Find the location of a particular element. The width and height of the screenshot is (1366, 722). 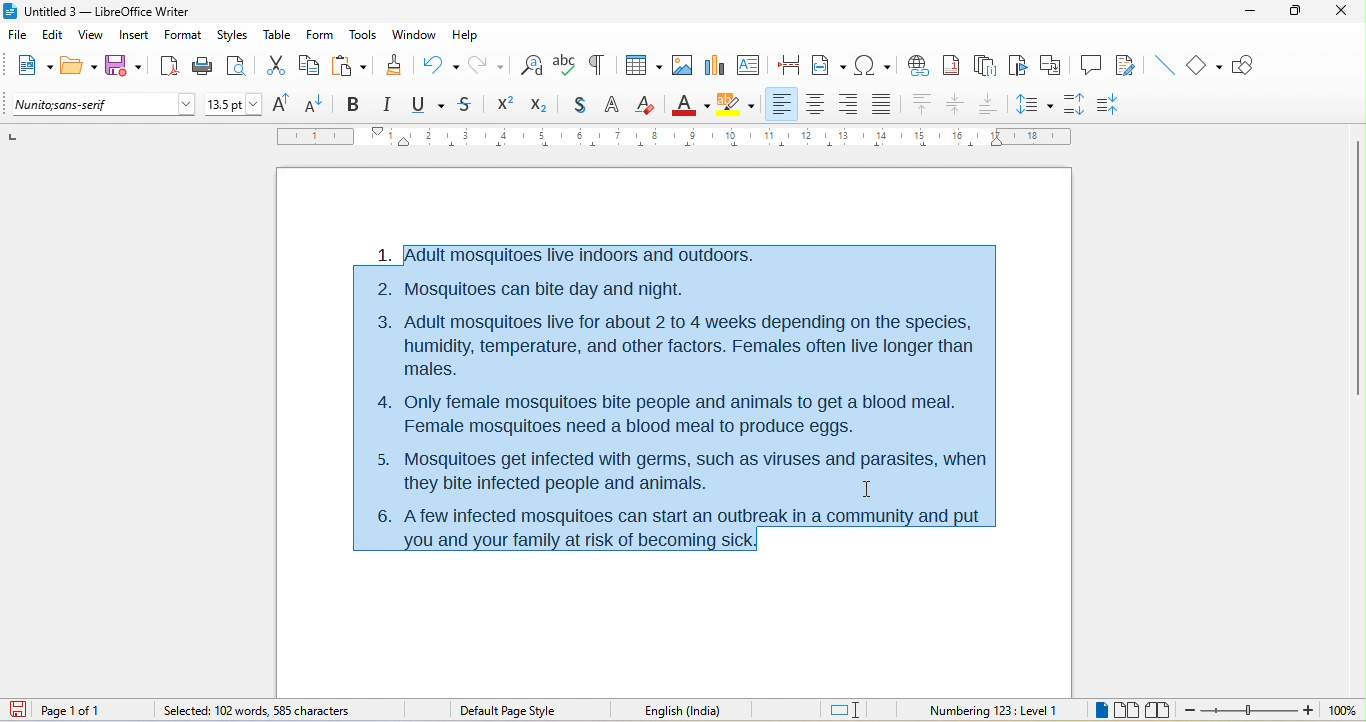

table is located at coordinates (642, 63).